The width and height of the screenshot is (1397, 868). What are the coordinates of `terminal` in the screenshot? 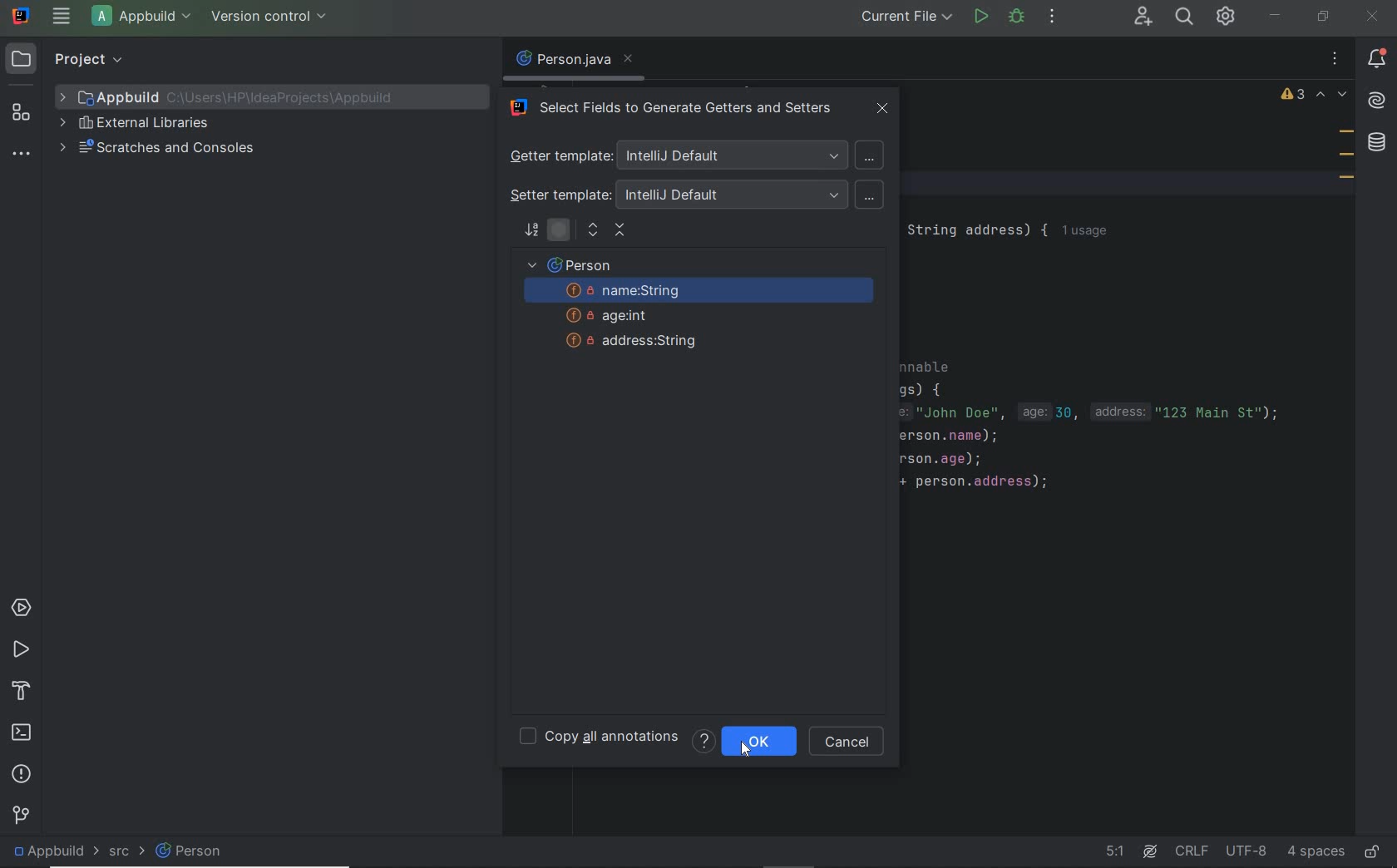 It's located at (22, 730).